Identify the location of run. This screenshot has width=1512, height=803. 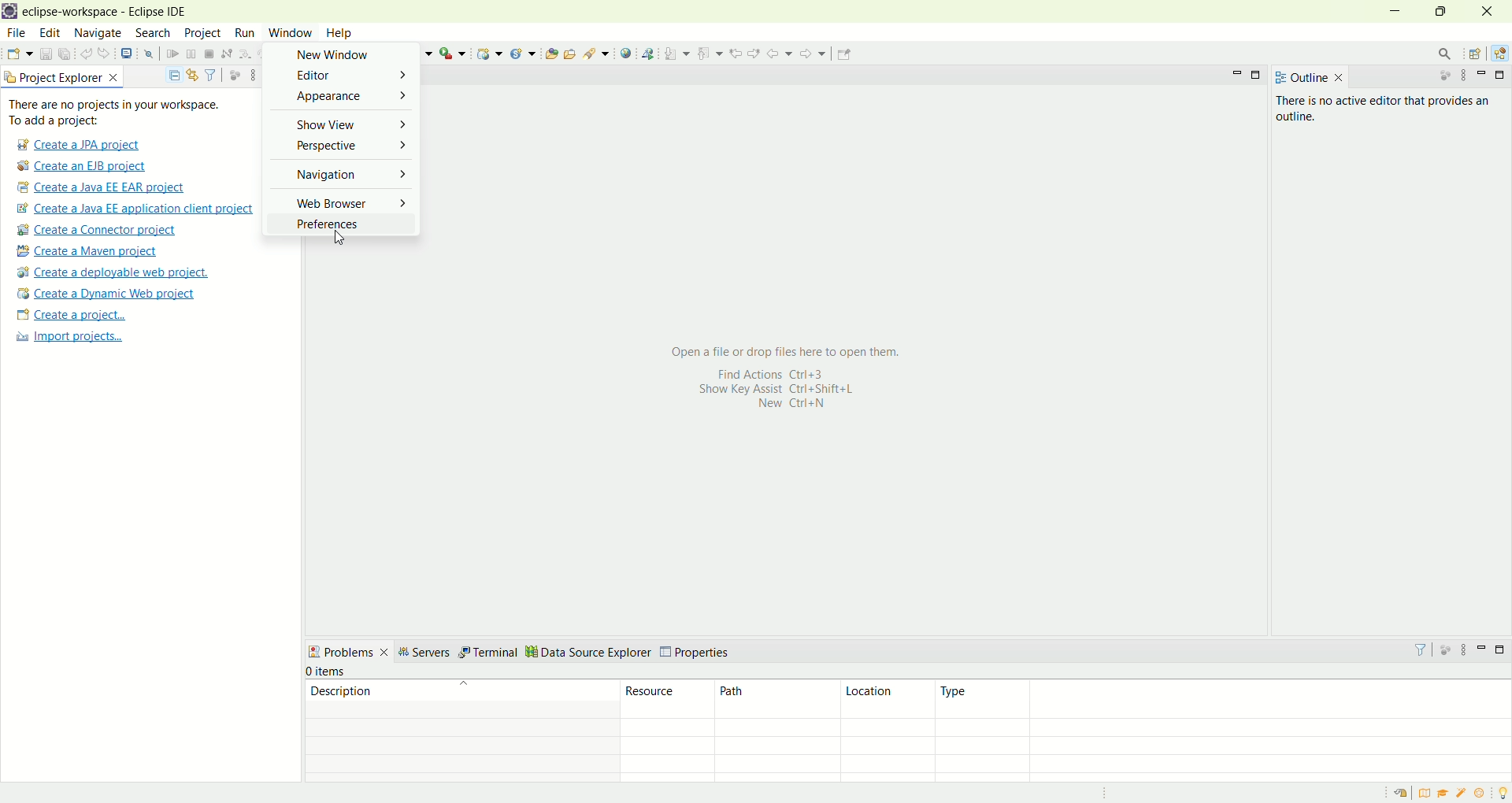
(243, 32).